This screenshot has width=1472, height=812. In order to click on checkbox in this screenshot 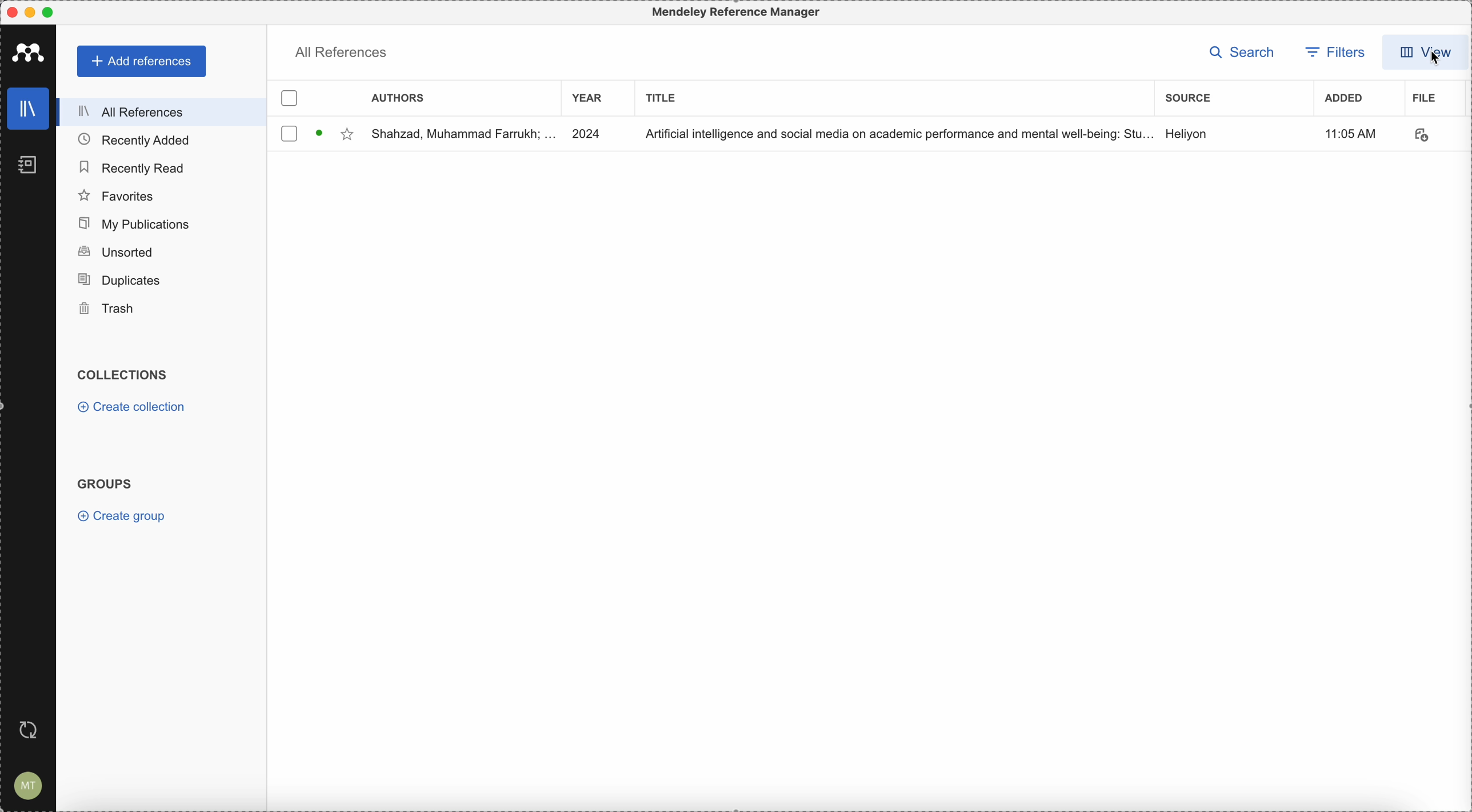, I will do `click(288, 133)`.